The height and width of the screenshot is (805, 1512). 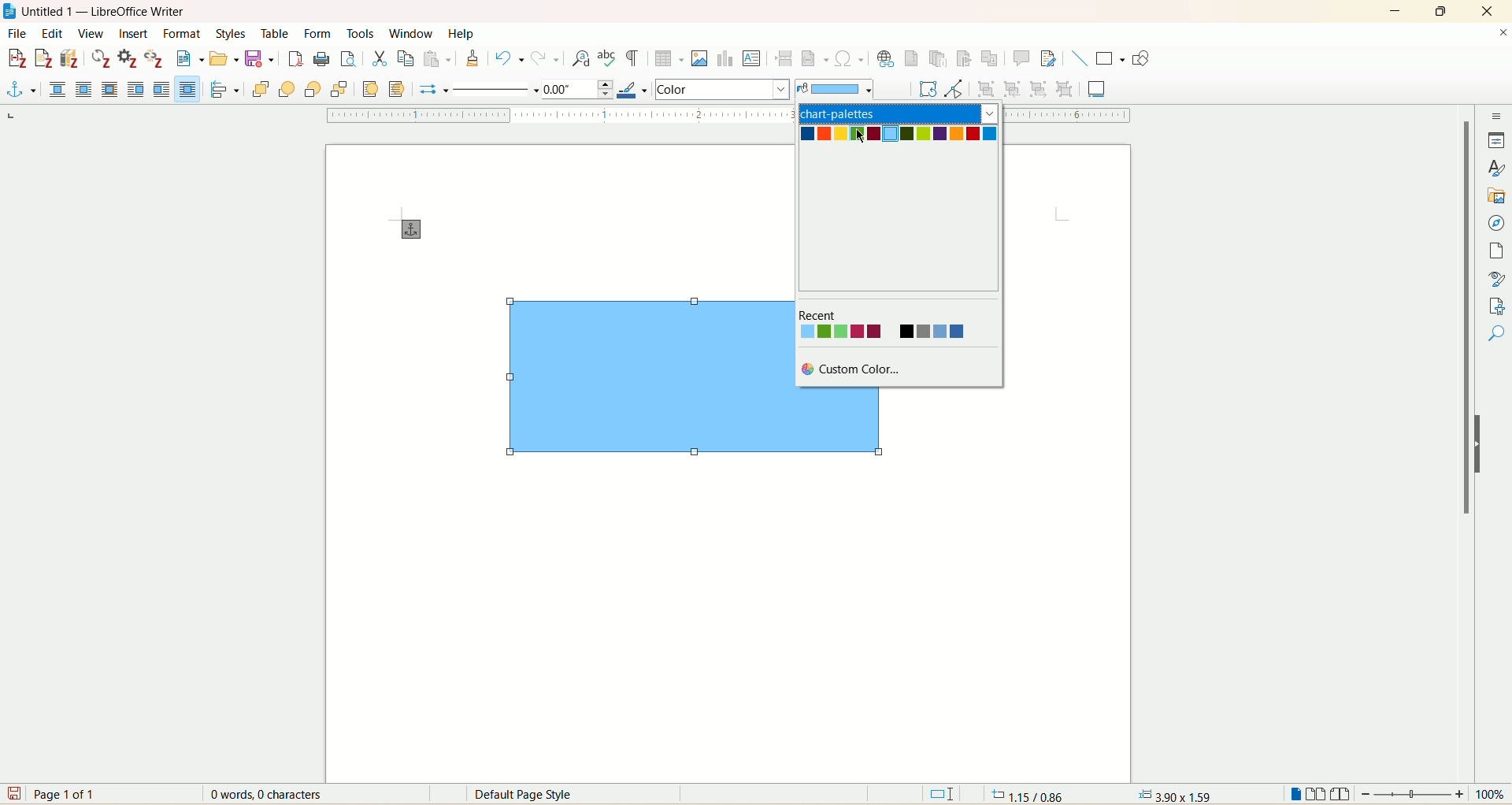 I want to click on style, so click(x=1498, y=169).